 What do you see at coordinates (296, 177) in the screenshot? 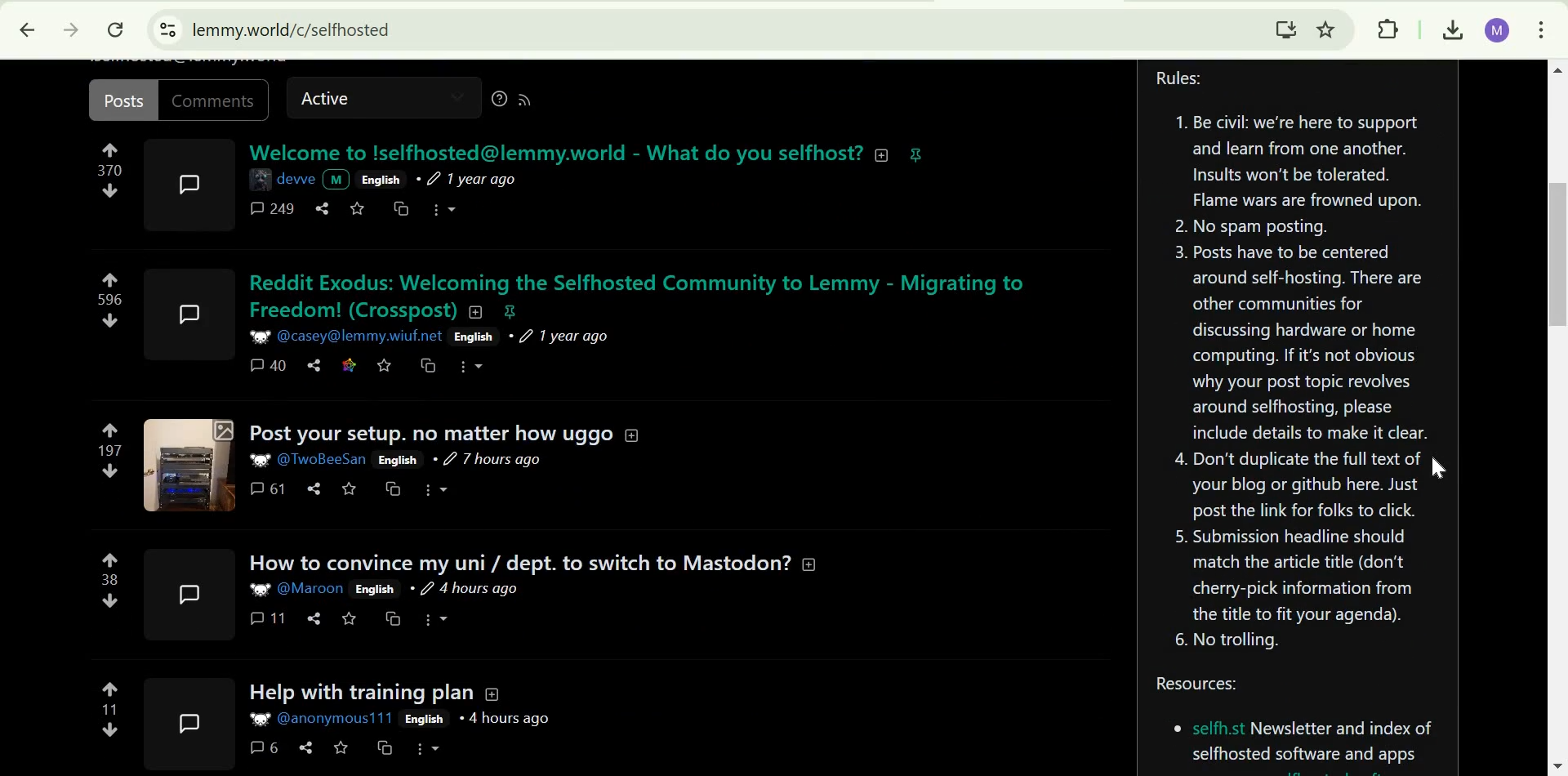
I see `name` at bounding box center [296, 177].